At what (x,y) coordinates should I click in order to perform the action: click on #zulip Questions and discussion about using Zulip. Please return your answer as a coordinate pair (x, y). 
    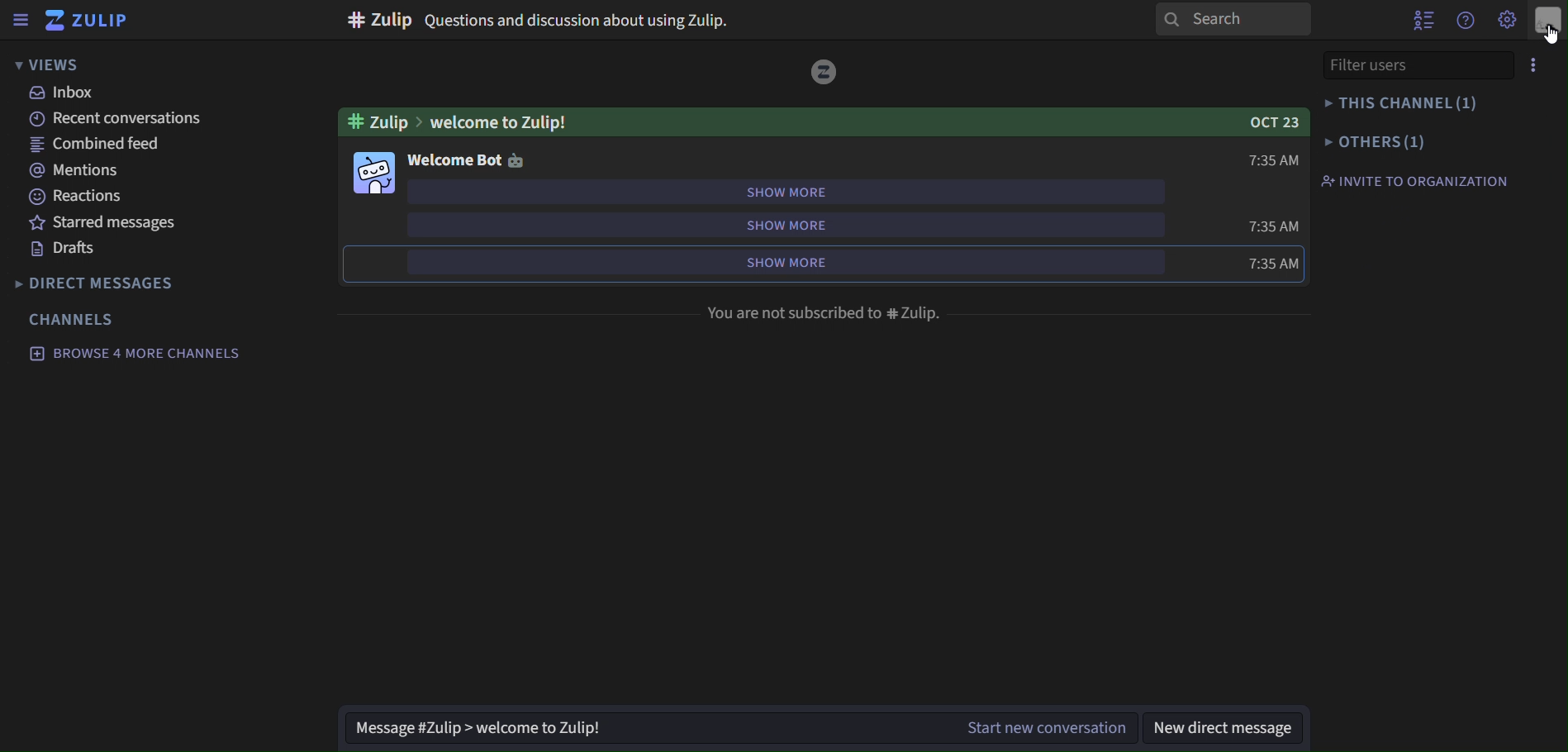
    Looking at the image, I should click on (545, 21).